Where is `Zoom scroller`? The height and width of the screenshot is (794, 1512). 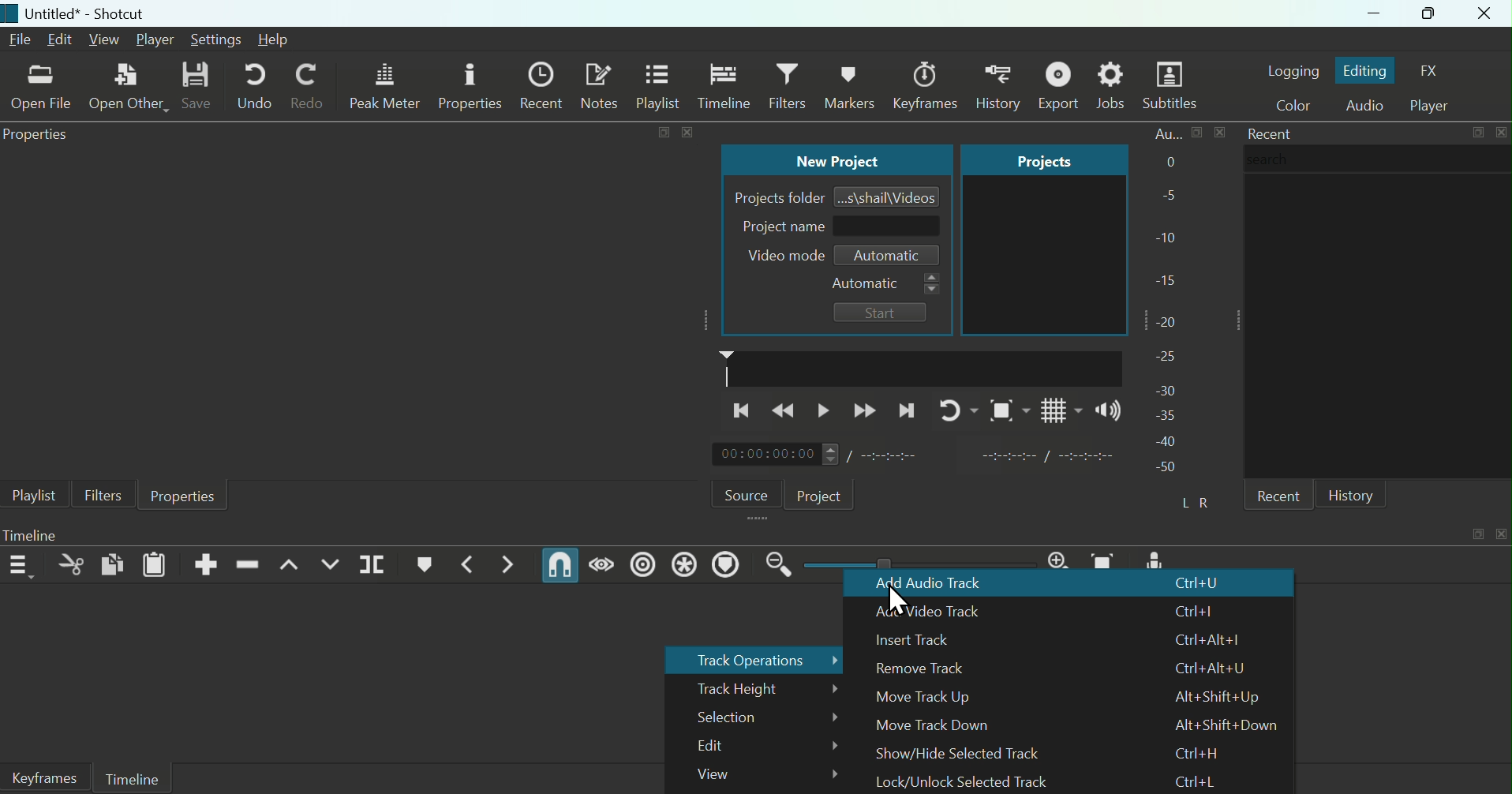
Zoom scroller is located at coordinates (915, 562).